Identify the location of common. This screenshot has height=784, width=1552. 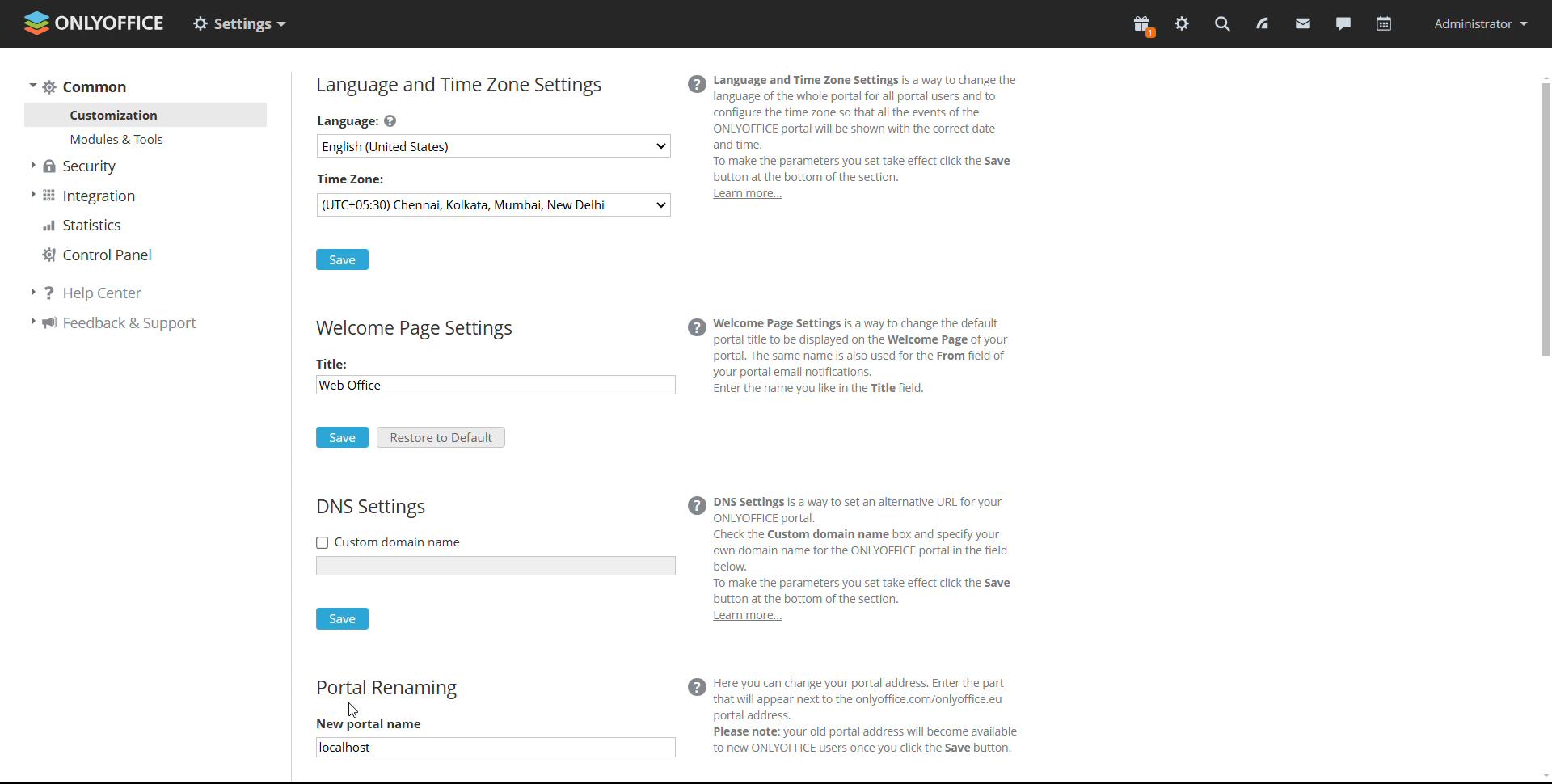
(77, 86).